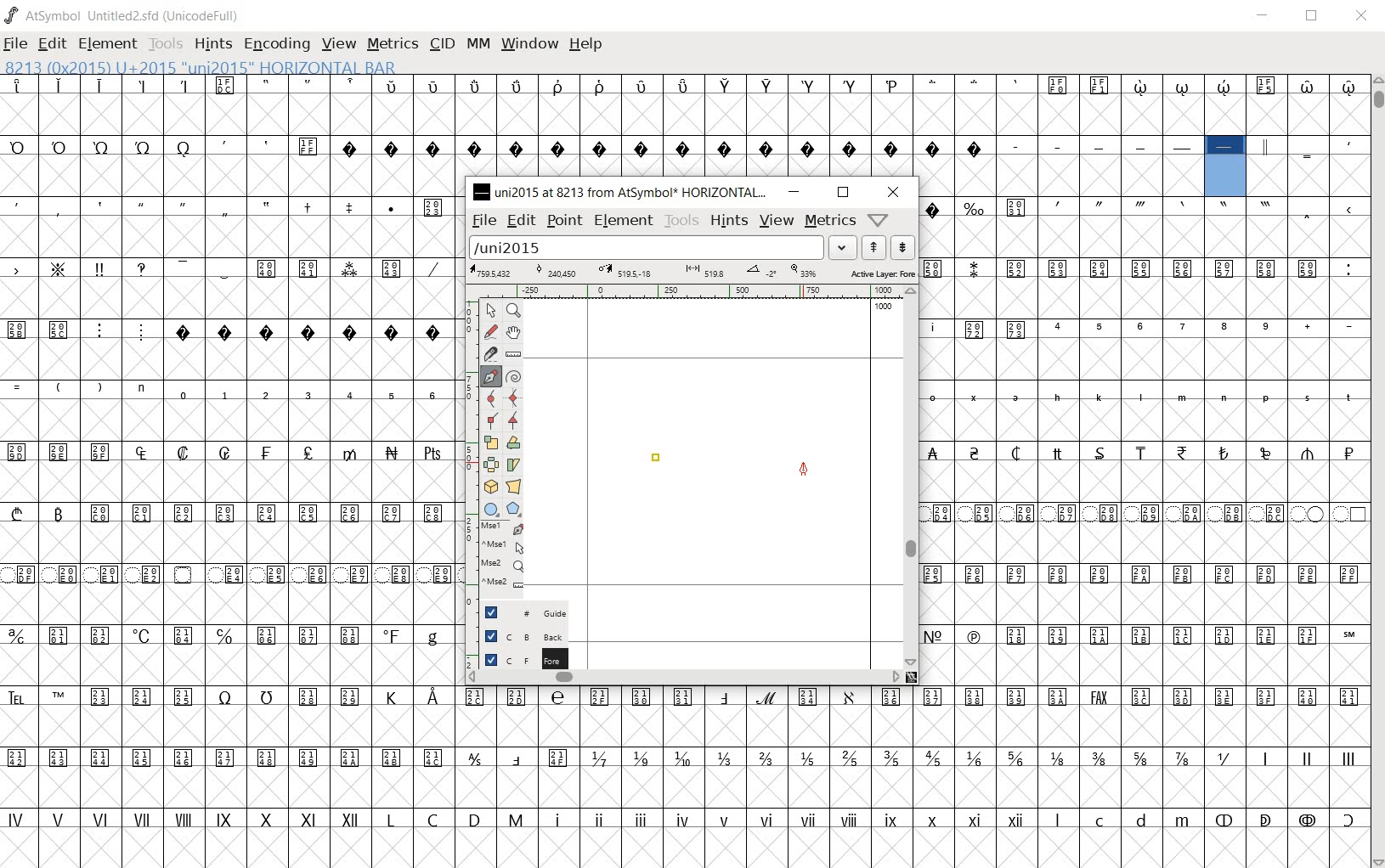 The image size is (1385, 868). Describe the element at coordinates (490, 331) in the screenshot. I see `draw a freehand curve` at that location.